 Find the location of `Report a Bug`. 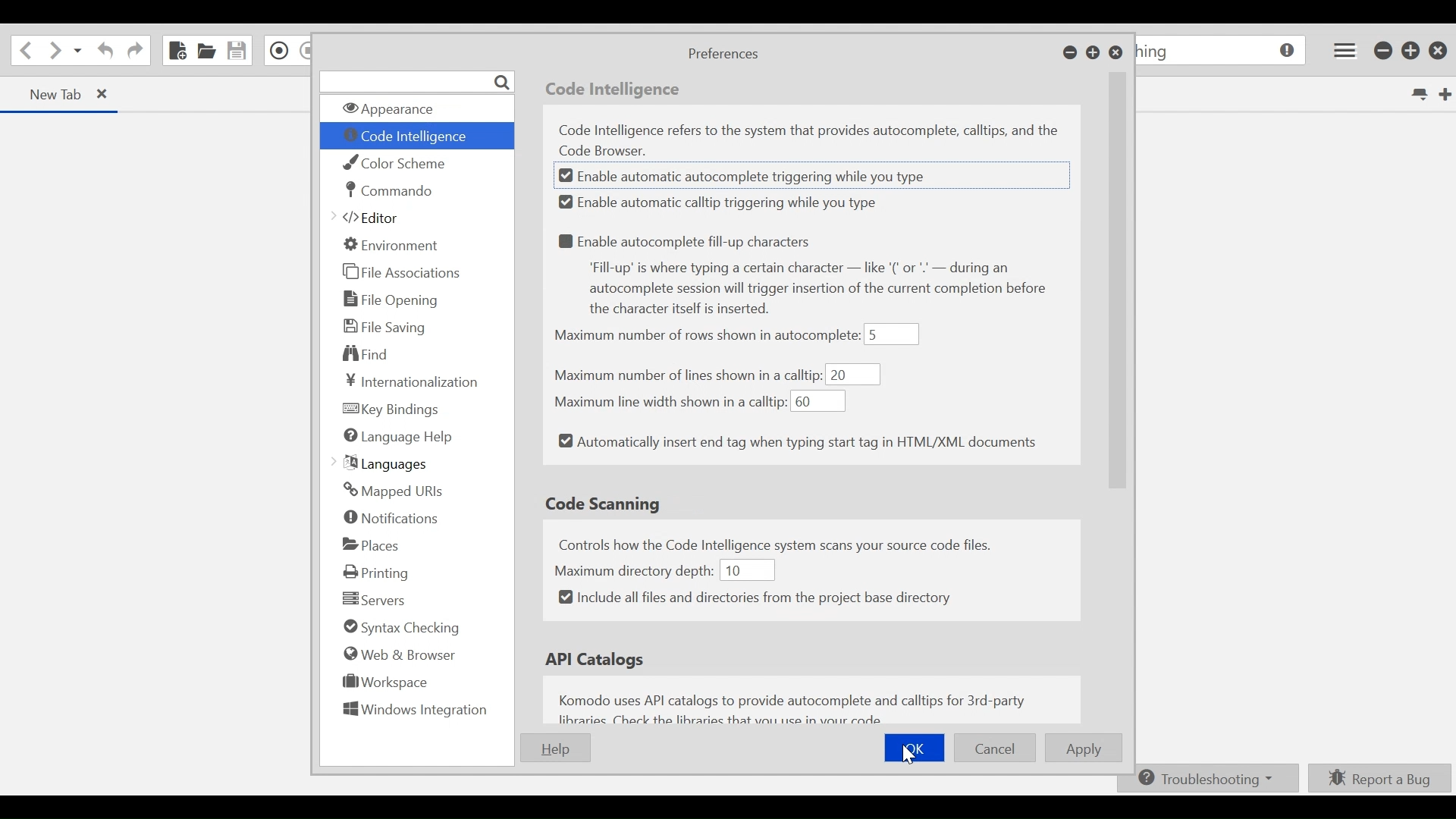

Report a Bug is located at coordinates (1380, 777).